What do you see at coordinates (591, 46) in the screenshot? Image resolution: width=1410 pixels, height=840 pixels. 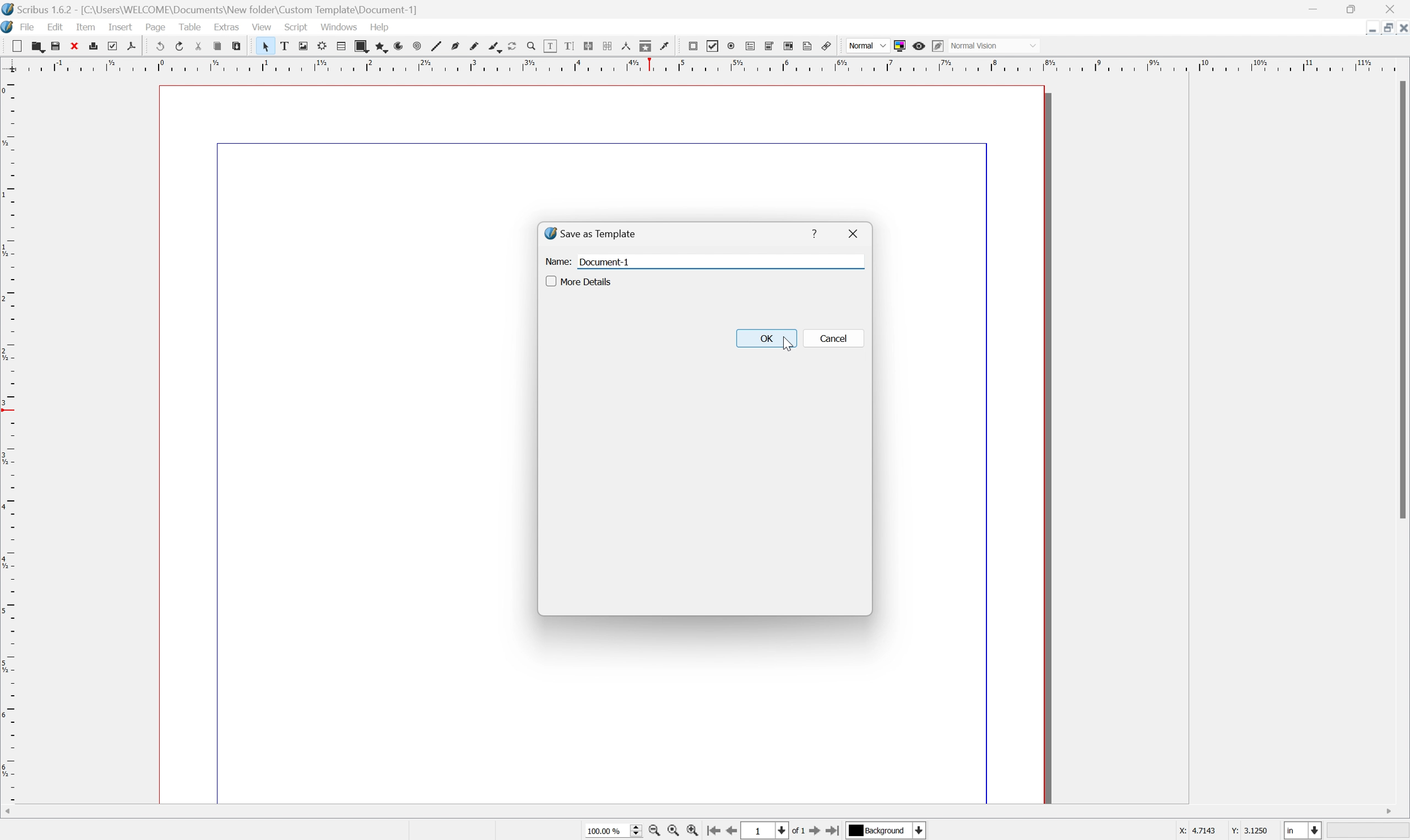 I see `Link text frames` at bounding box center [591, 46].